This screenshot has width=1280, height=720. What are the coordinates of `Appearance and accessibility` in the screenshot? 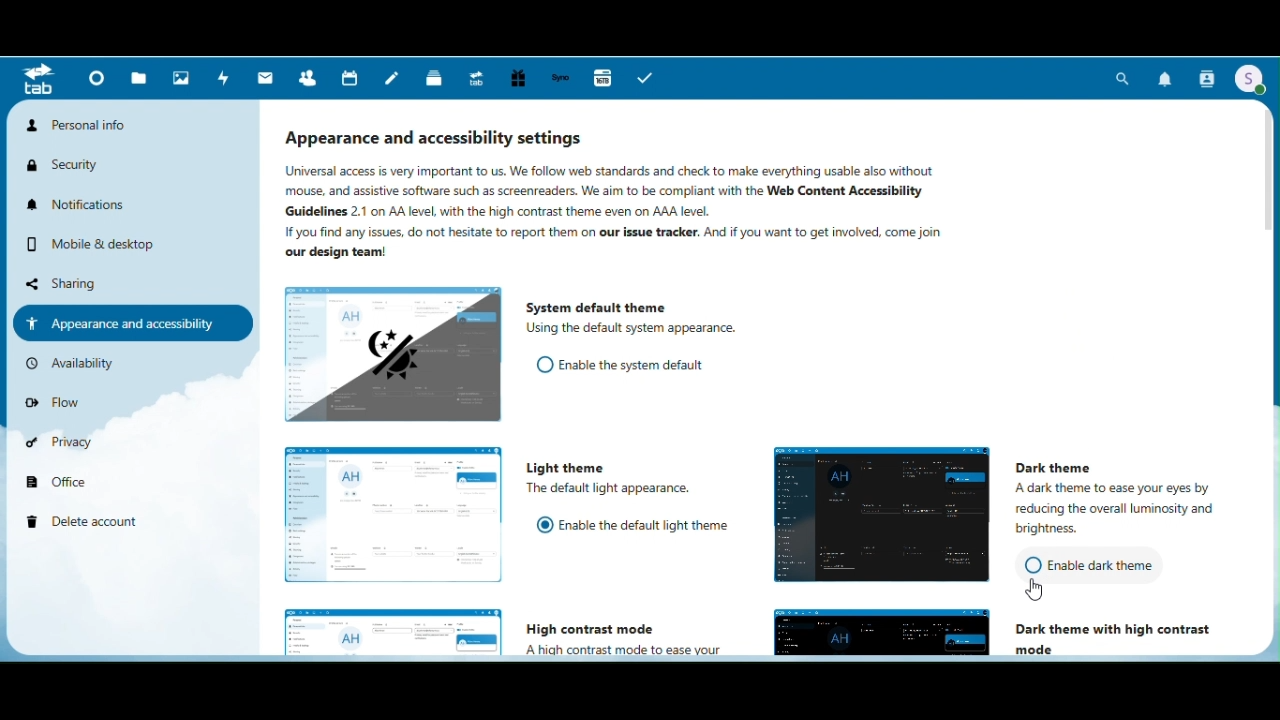 It's located at (134, 324).